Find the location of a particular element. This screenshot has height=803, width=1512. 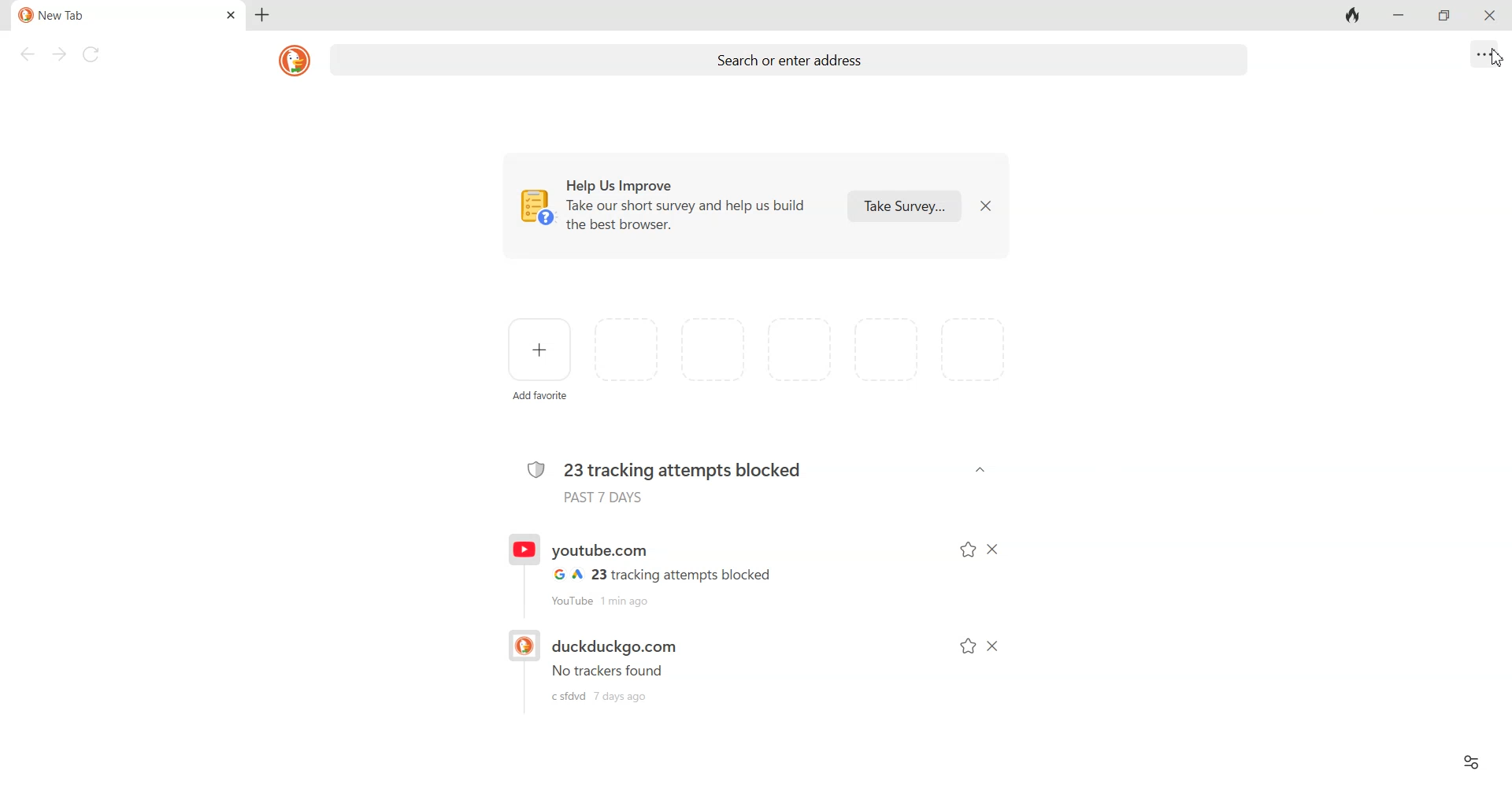

Add to favorite is located at coordinates (967, 550).